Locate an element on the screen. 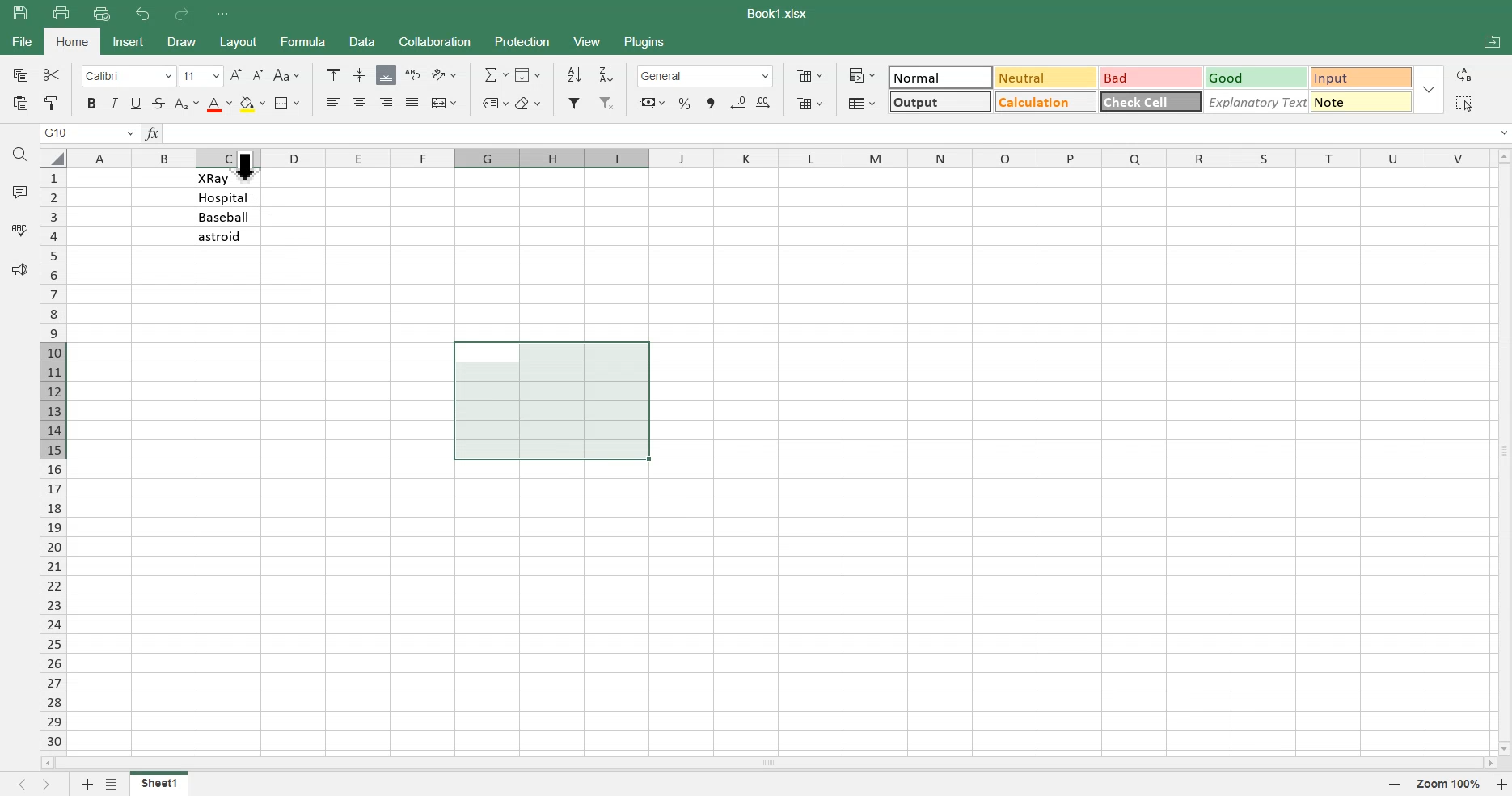 The height and width of the screenshot is (796, 1512). Ascending is located at coordinates (574, 74).